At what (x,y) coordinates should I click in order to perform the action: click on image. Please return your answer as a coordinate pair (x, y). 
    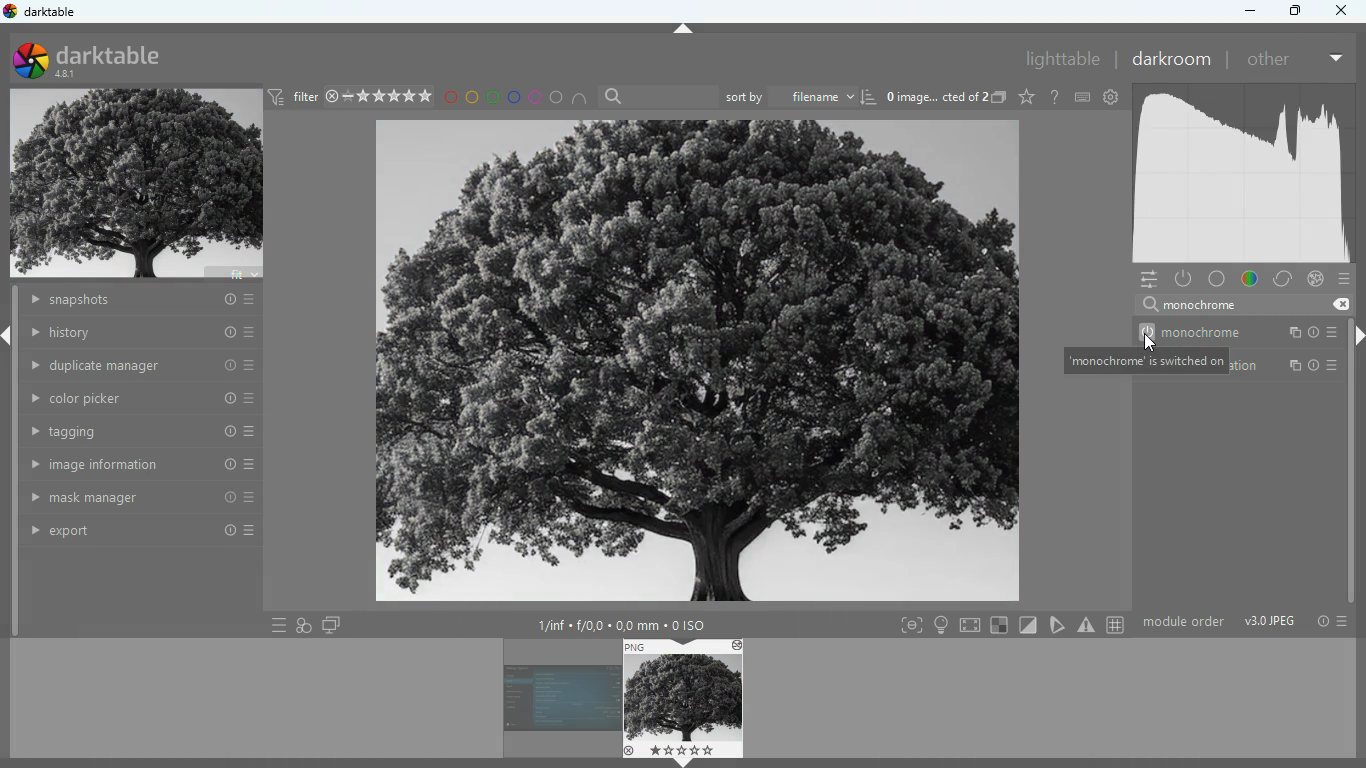
    Looking at the image, I should click on (553, 700).